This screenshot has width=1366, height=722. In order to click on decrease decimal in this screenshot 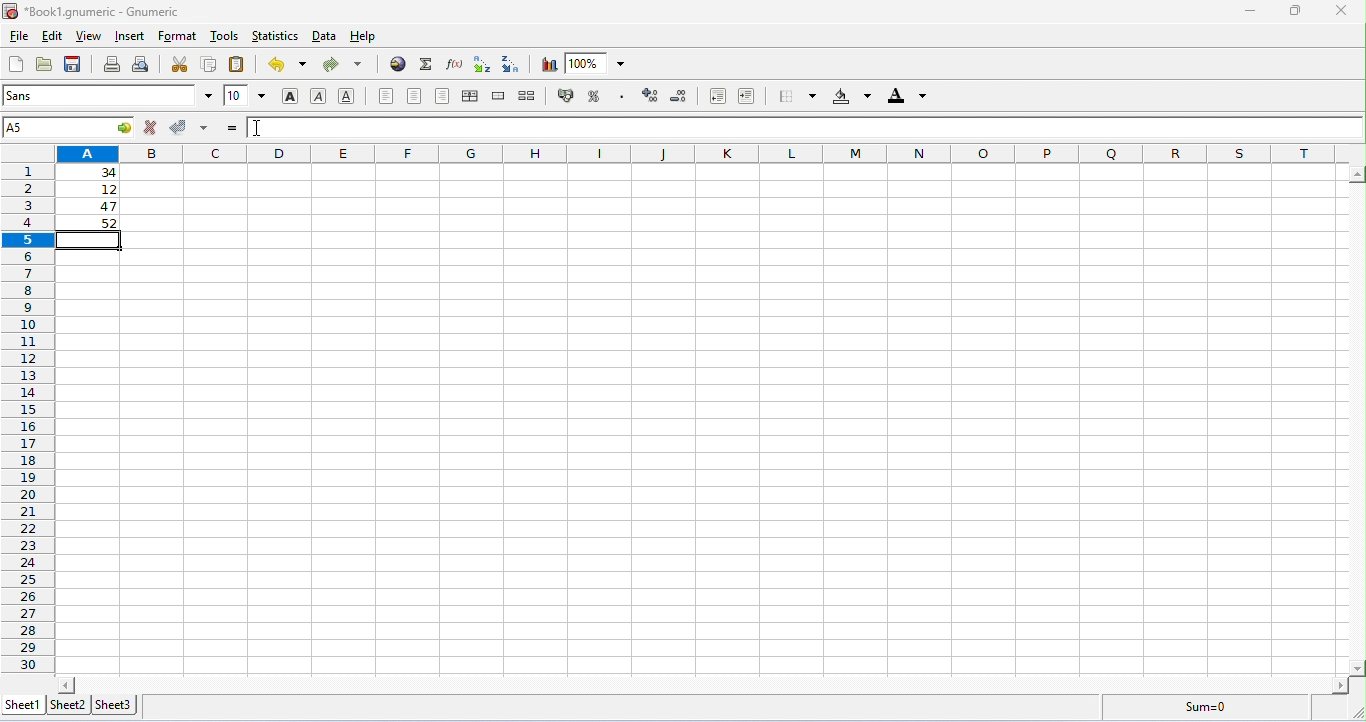, I will do `click(650, 95)`.